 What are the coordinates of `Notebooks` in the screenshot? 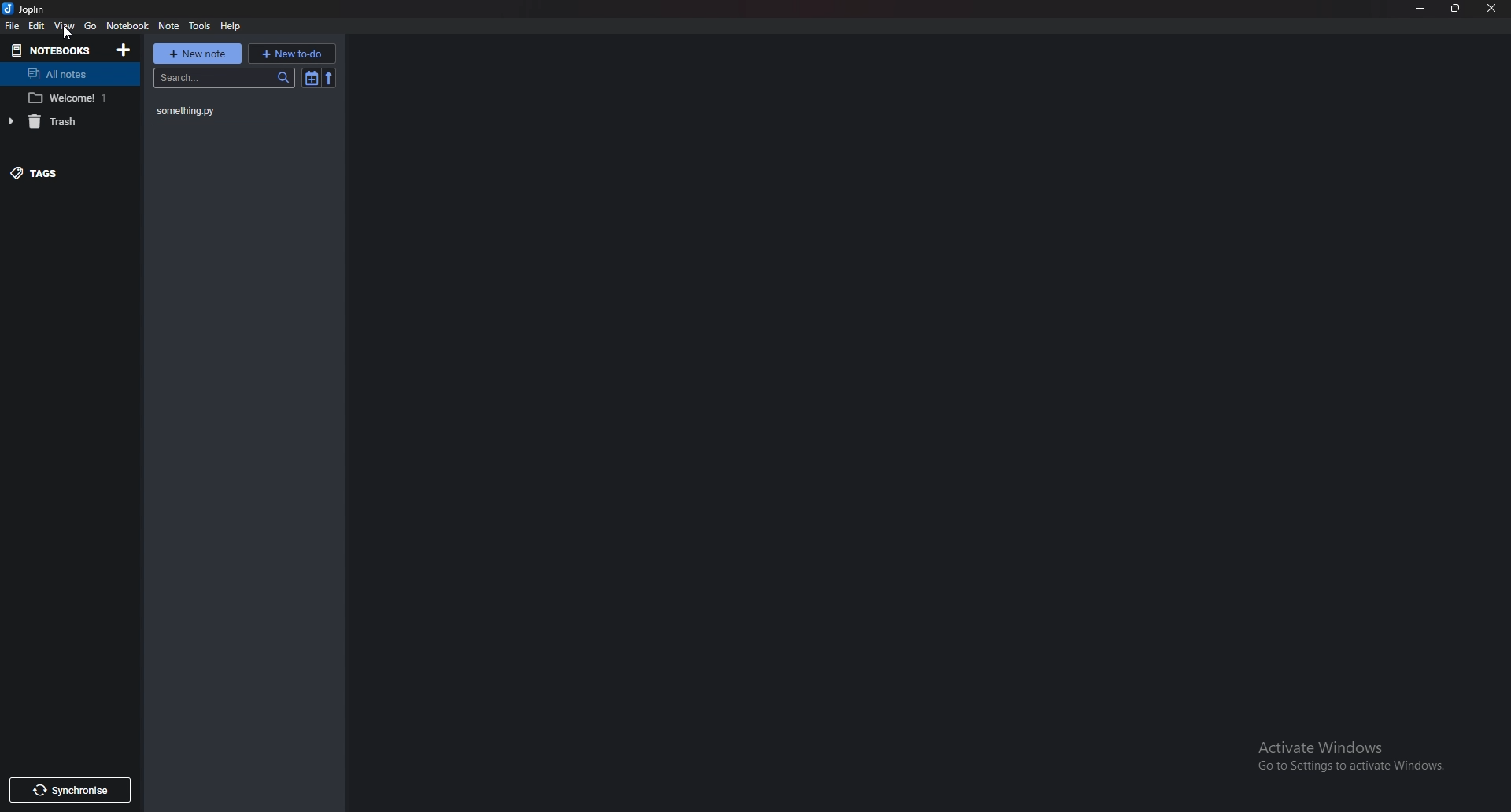 It's located at (46, 50).